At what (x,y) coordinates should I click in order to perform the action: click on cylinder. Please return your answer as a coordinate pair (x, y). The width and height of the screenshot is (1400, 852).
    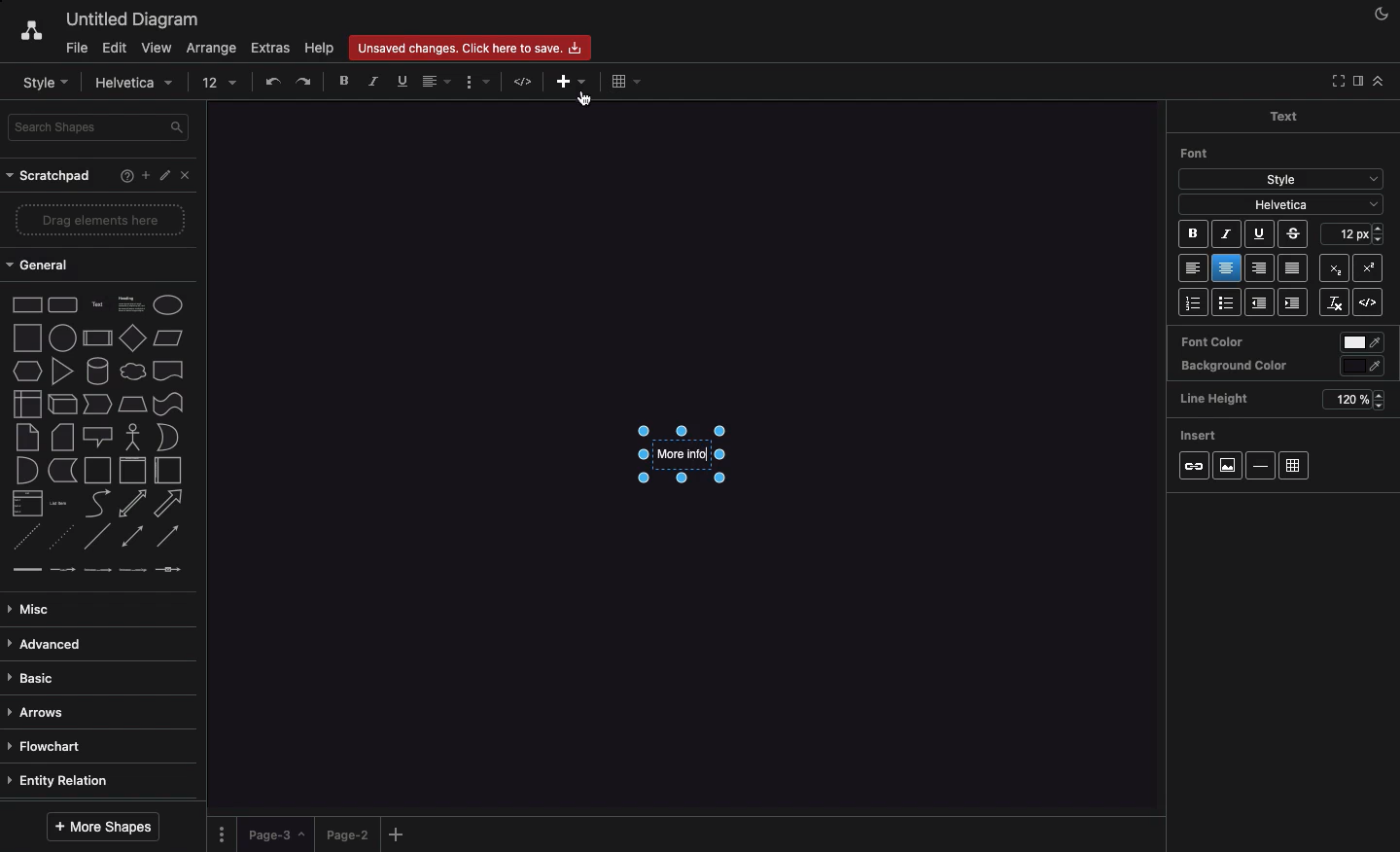
    Looking at the image, I should click on (98, 371).